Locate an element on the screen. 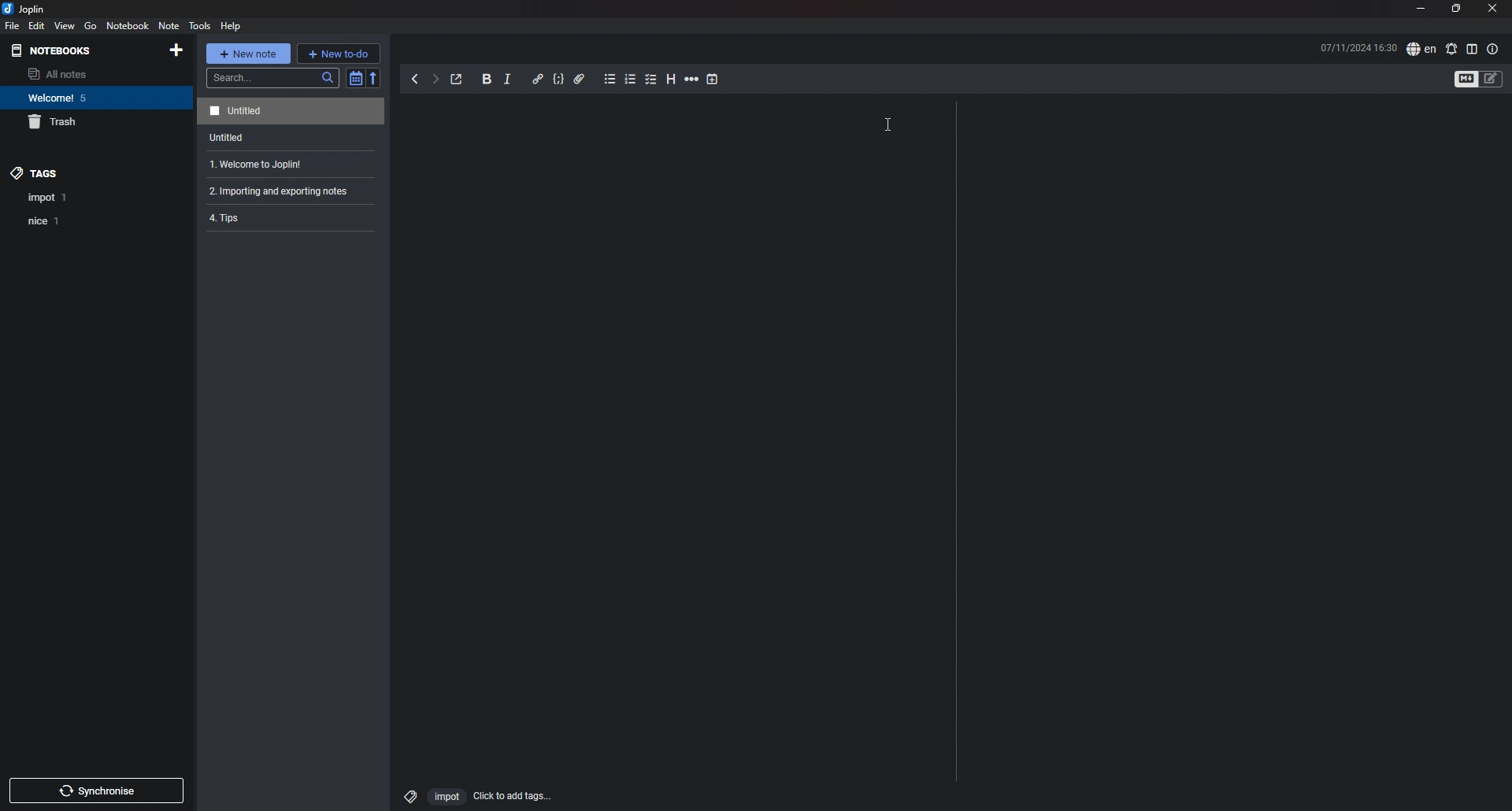 This screenshot has width=1512, height=811. search is located at coordinates (273, 78).